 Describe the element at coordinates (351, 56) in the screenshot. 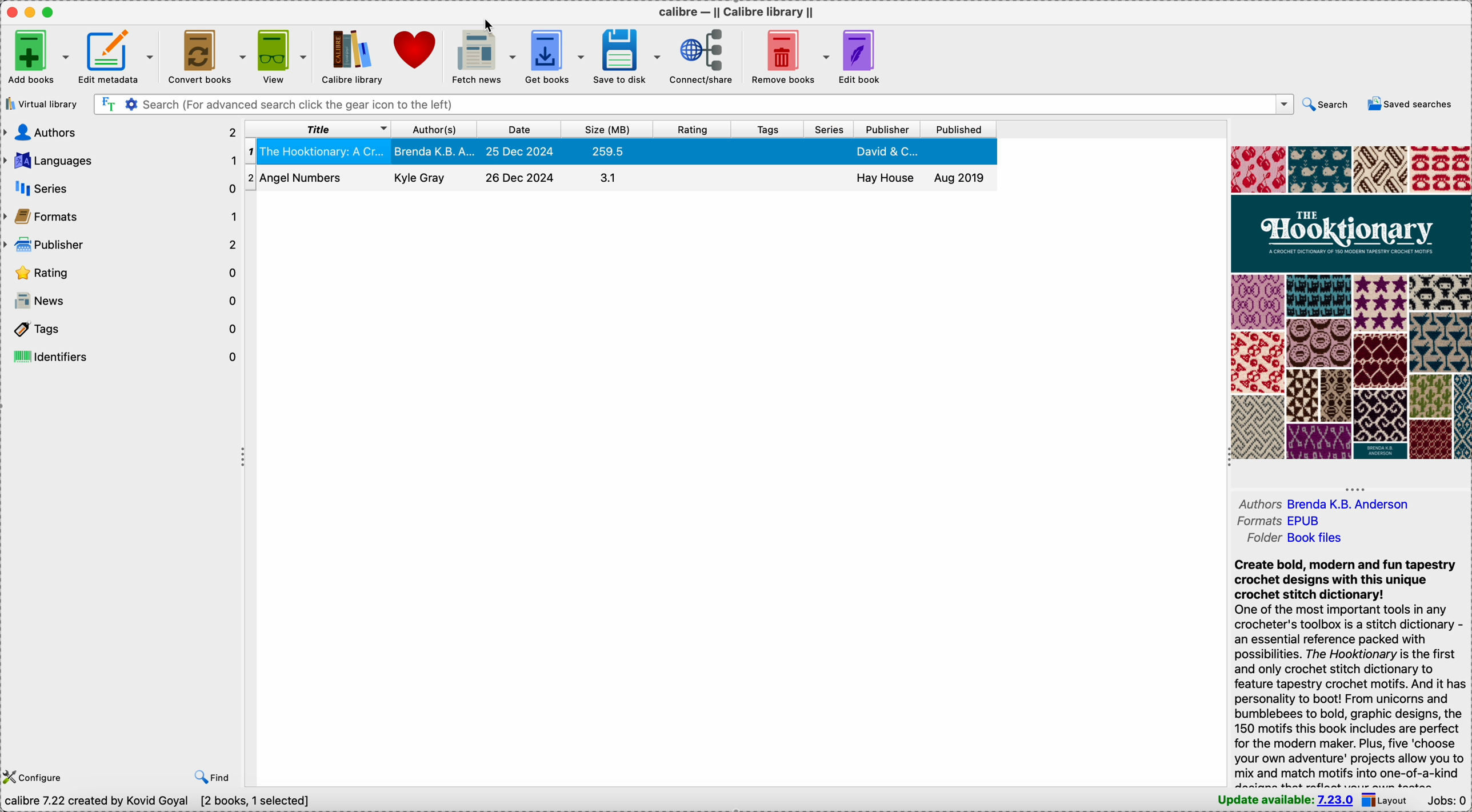

I see `Calibre library` at that location.